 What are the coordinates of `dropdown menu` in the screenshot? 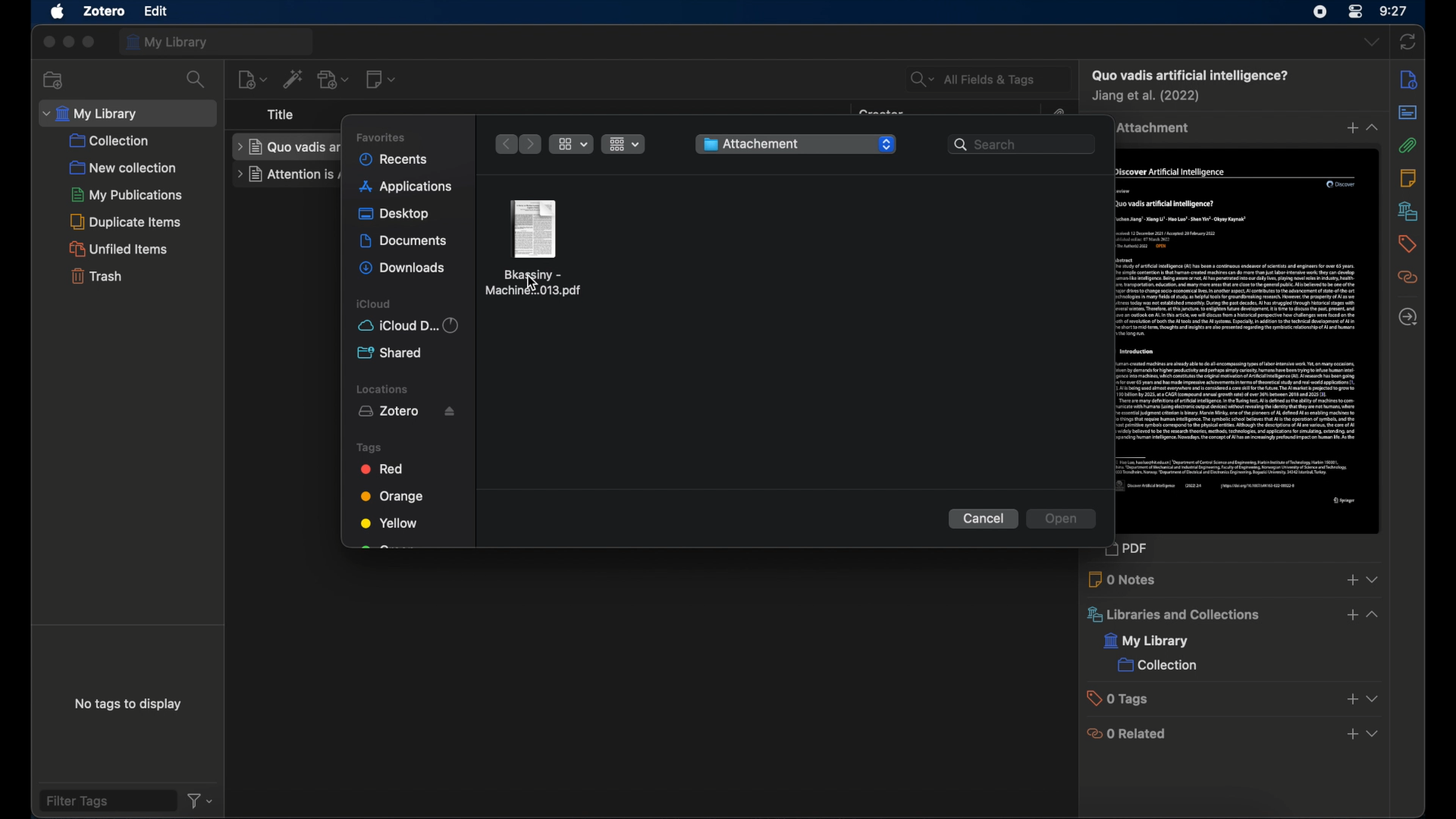 It's located at (1375, 735).